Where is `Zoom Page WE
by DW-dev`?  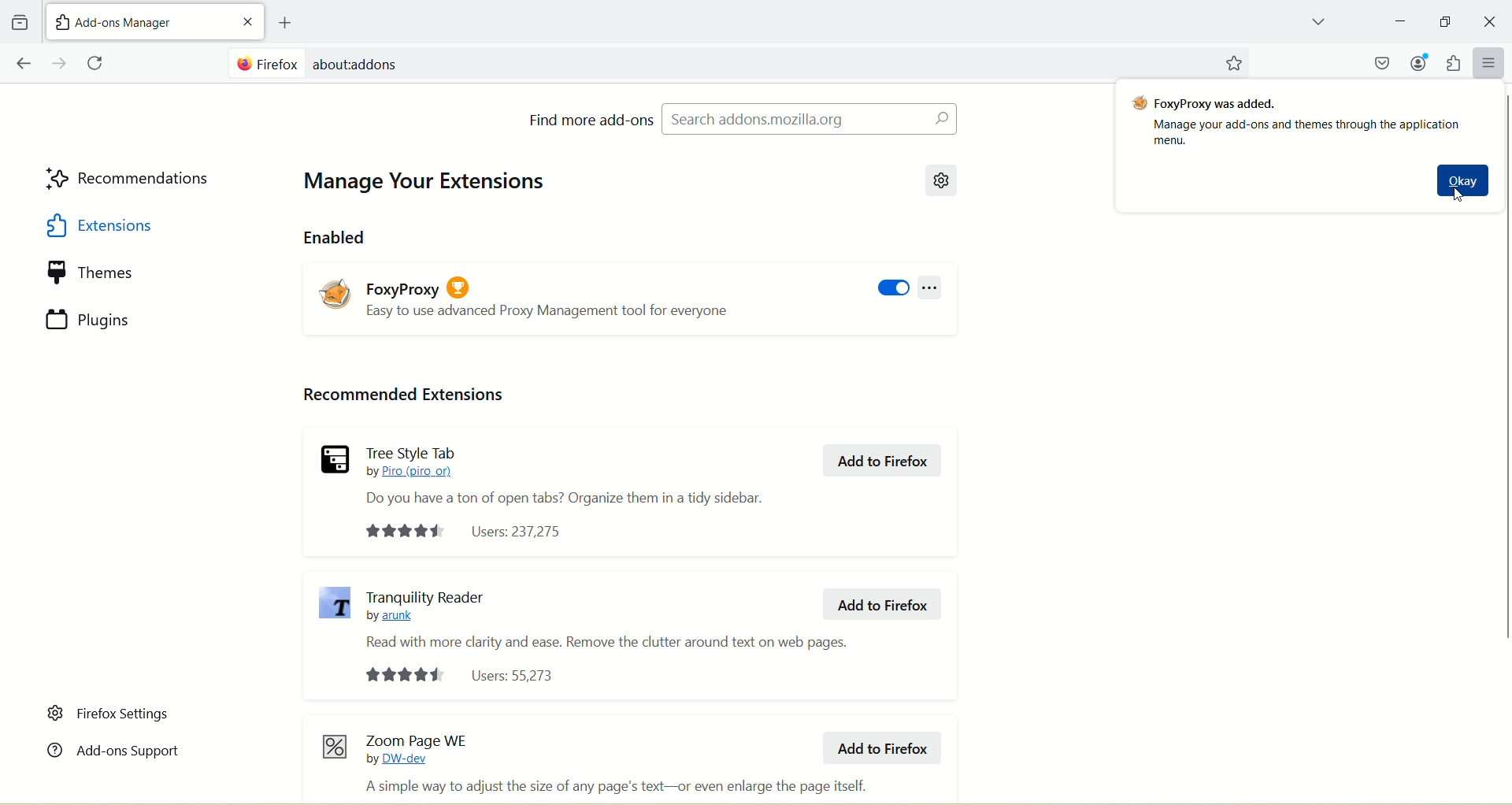 Zoom Page WE
by DW-dev is located at coordinates (418, 748).